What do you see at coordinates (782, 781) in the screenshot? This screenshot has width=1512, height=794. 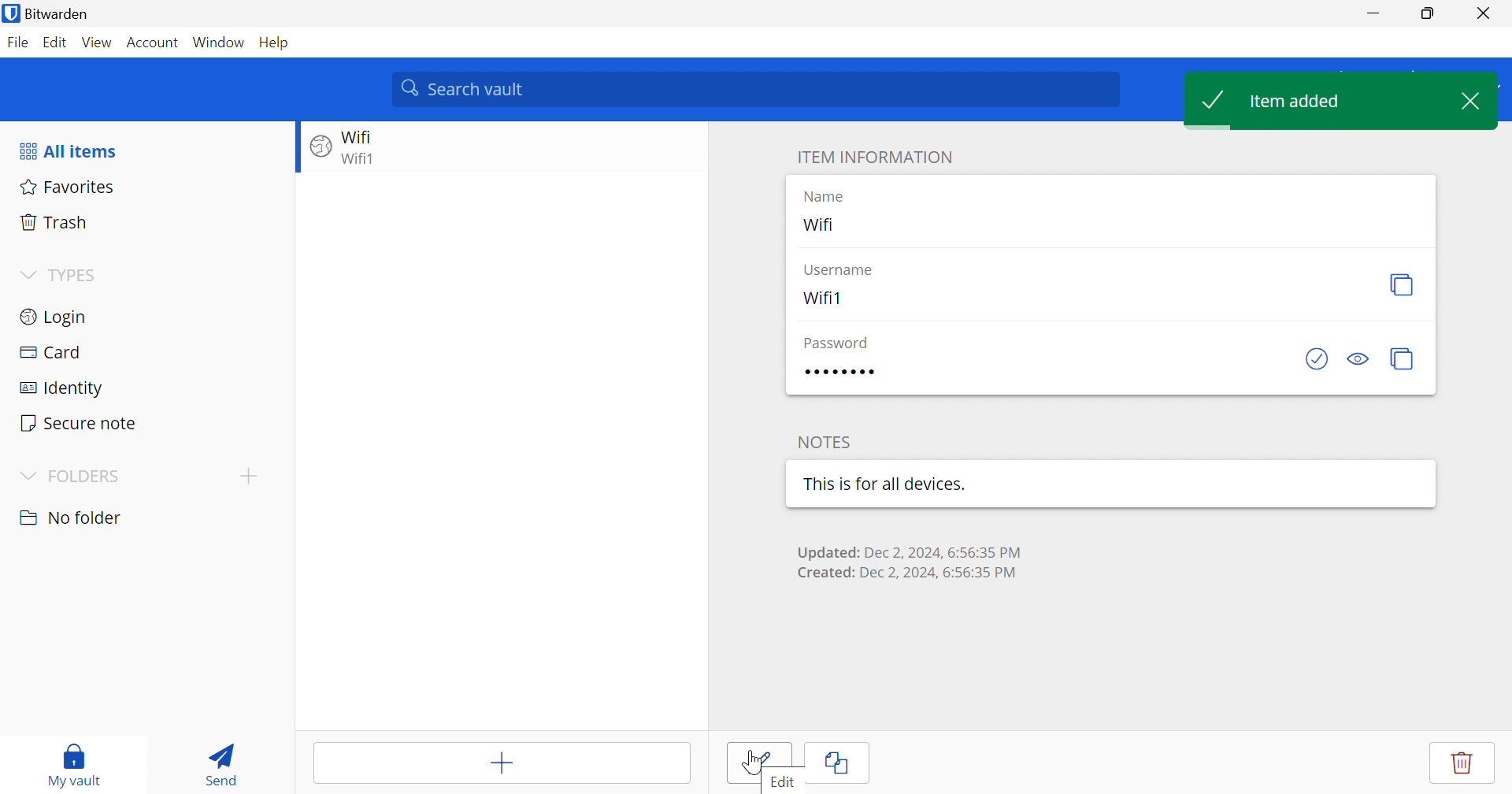 I see `Edit` at bounding box center [782, 781].